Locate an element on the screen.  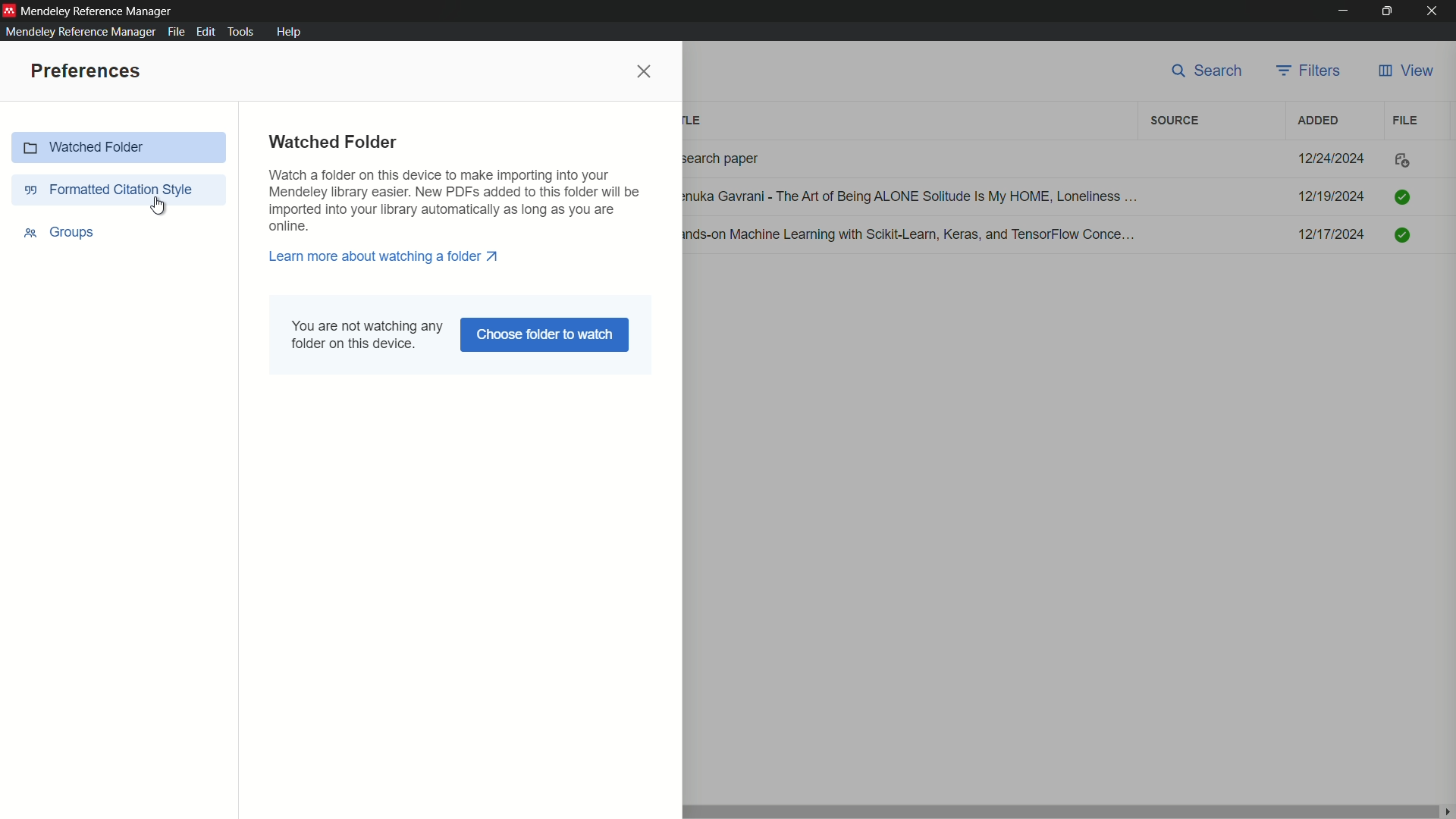
maximize is located at coordinates (1389, 11).